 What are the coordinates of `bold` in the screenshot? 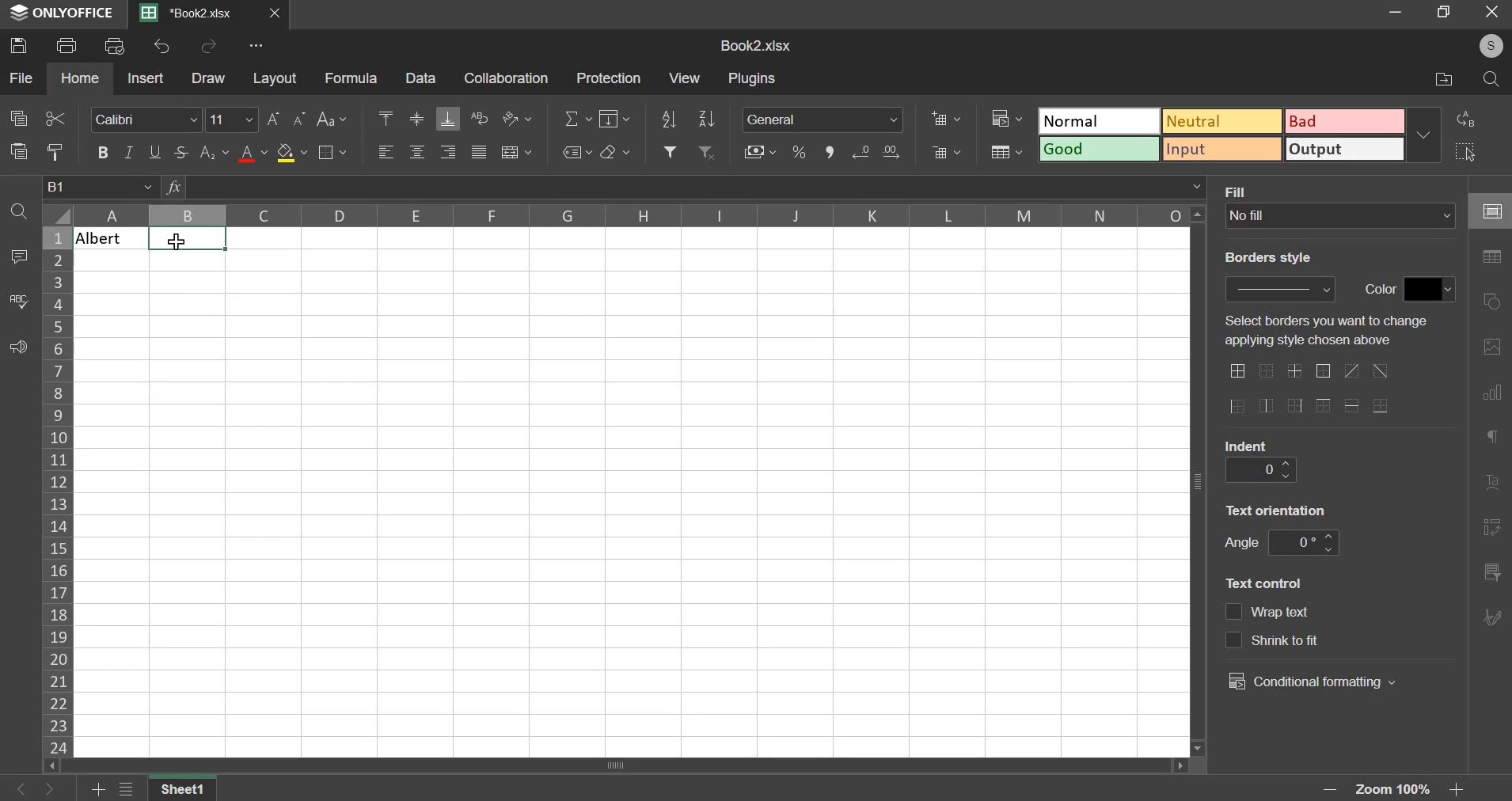 It's located at (102, 152).